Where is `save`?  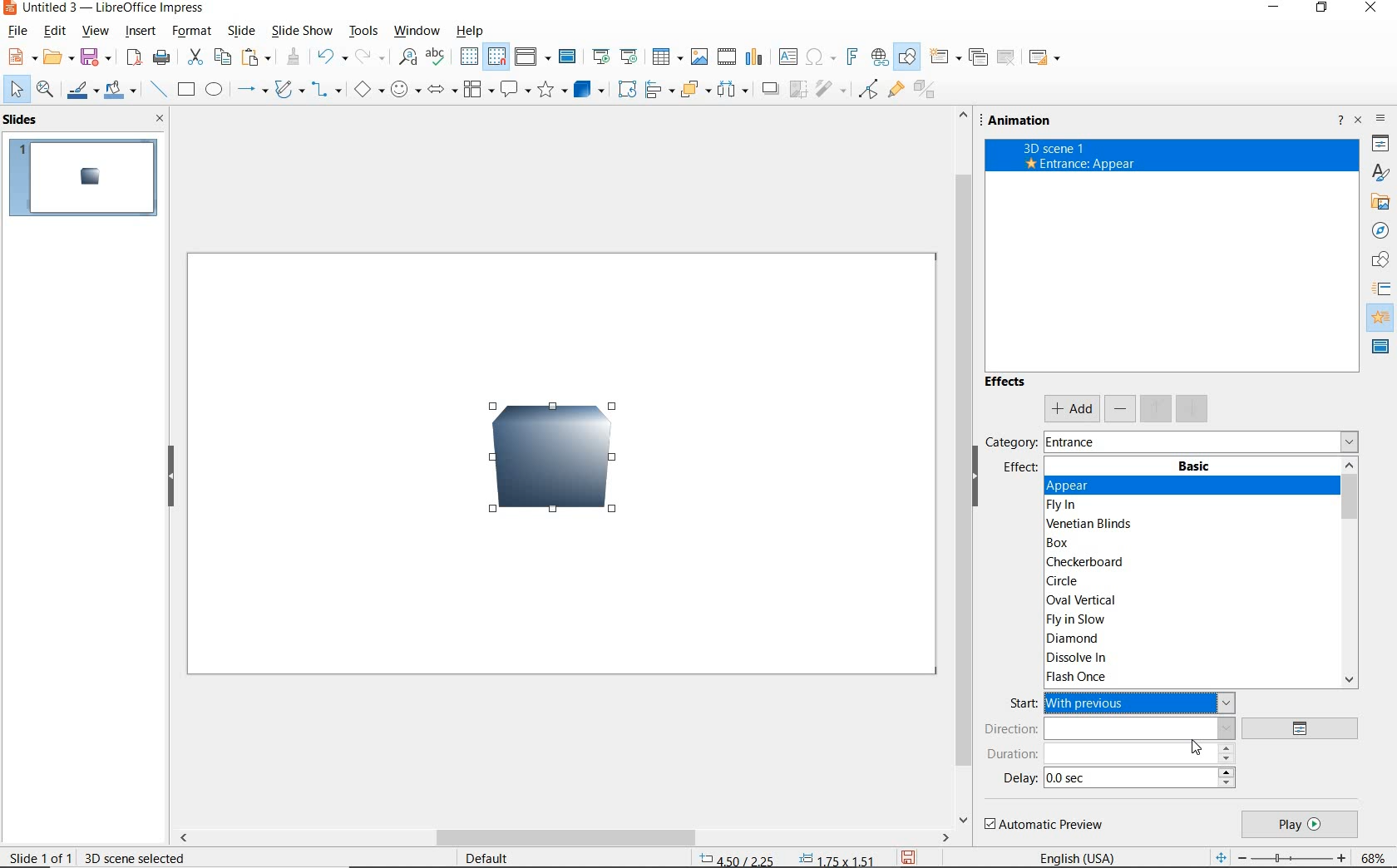 save is located at coordinates (908, 856).